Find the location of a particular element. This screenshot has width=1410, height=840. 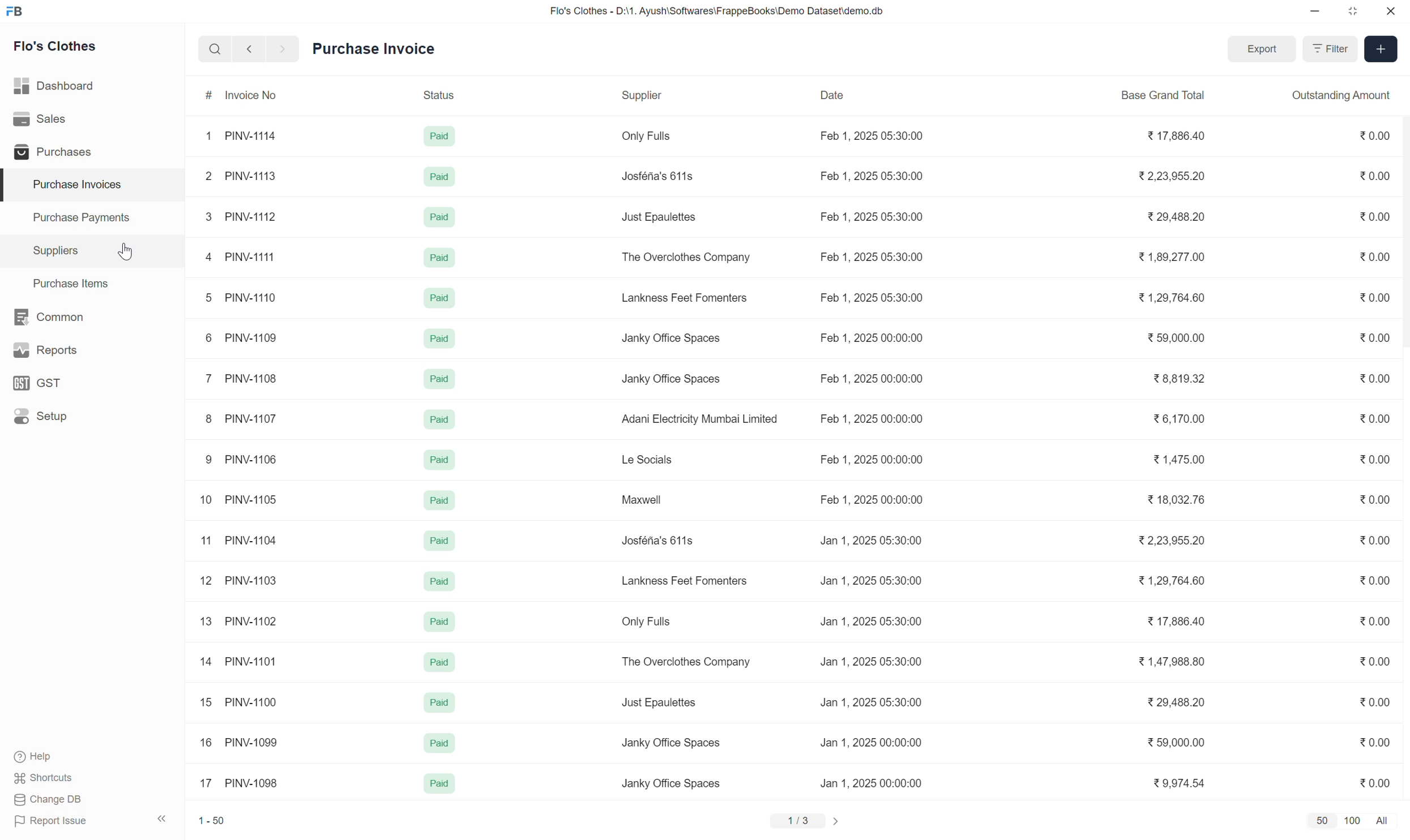

17,886.40 is located at coordinates (1177, 621).